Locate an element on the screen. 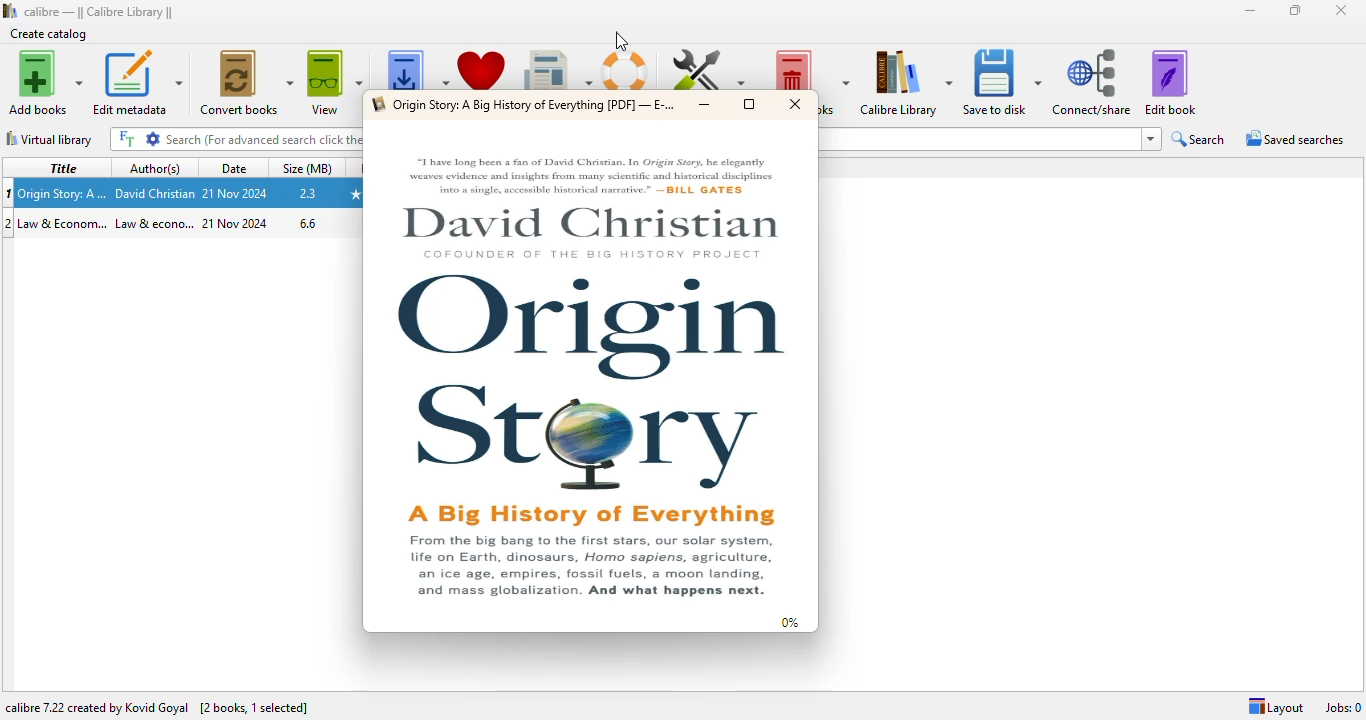  Title is located at coordinates (64, 192).